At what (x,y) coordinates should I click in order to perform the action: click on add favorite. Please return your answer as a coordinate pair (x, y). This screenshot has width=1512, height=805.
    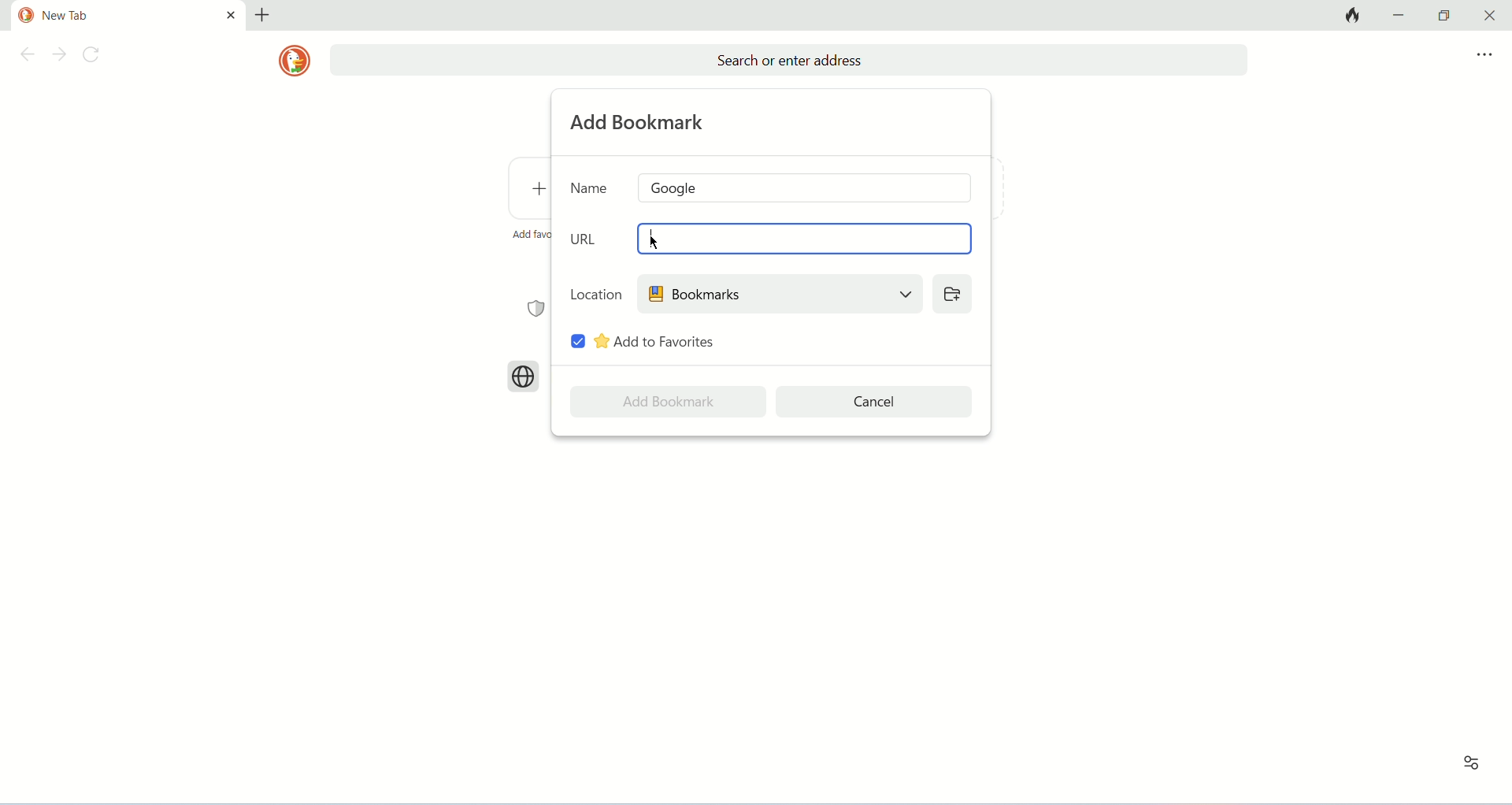
    Looking at the image, I should click on (530, 234).